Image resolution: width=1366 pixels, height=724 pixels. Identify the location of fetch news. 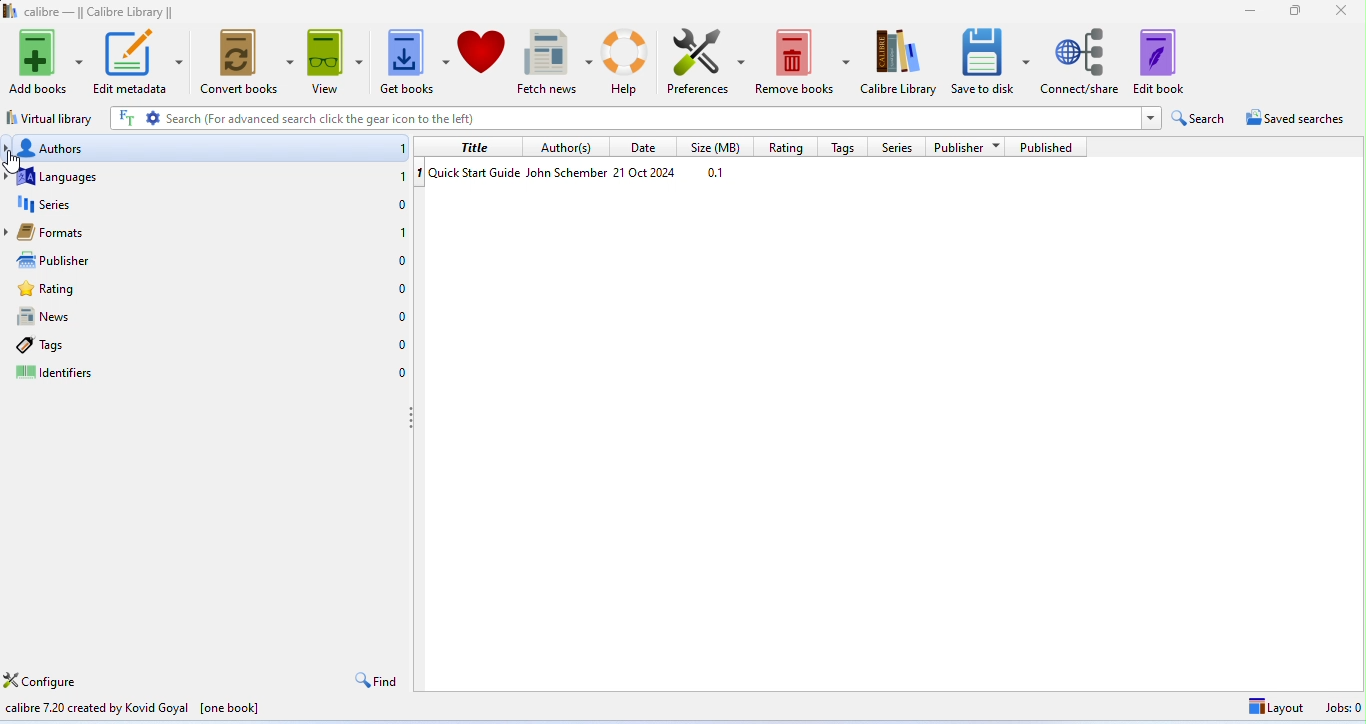
(557, 57).